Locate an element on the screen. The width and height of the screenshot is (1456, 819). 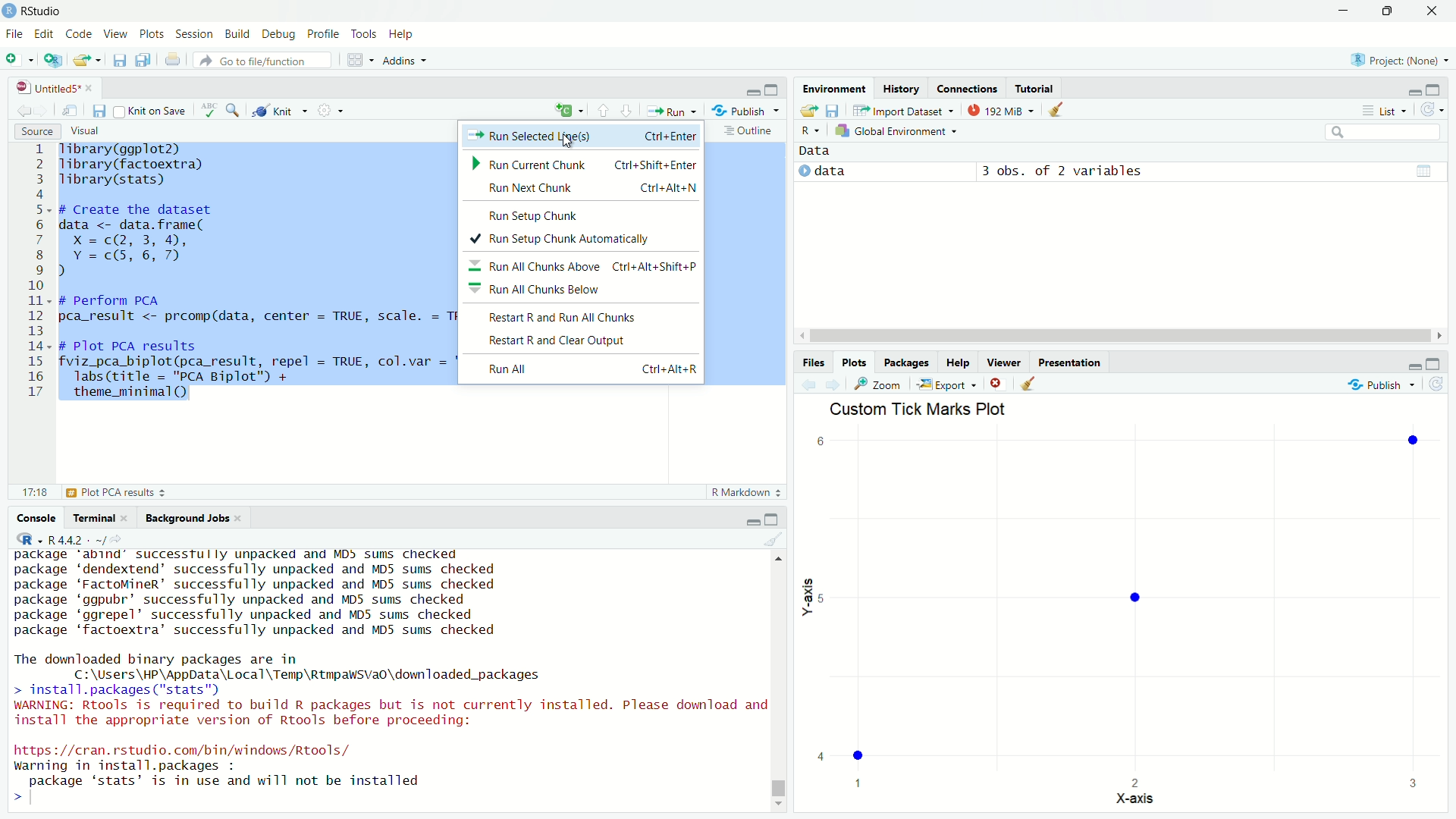
Packages is located at coordinates (908, 362).